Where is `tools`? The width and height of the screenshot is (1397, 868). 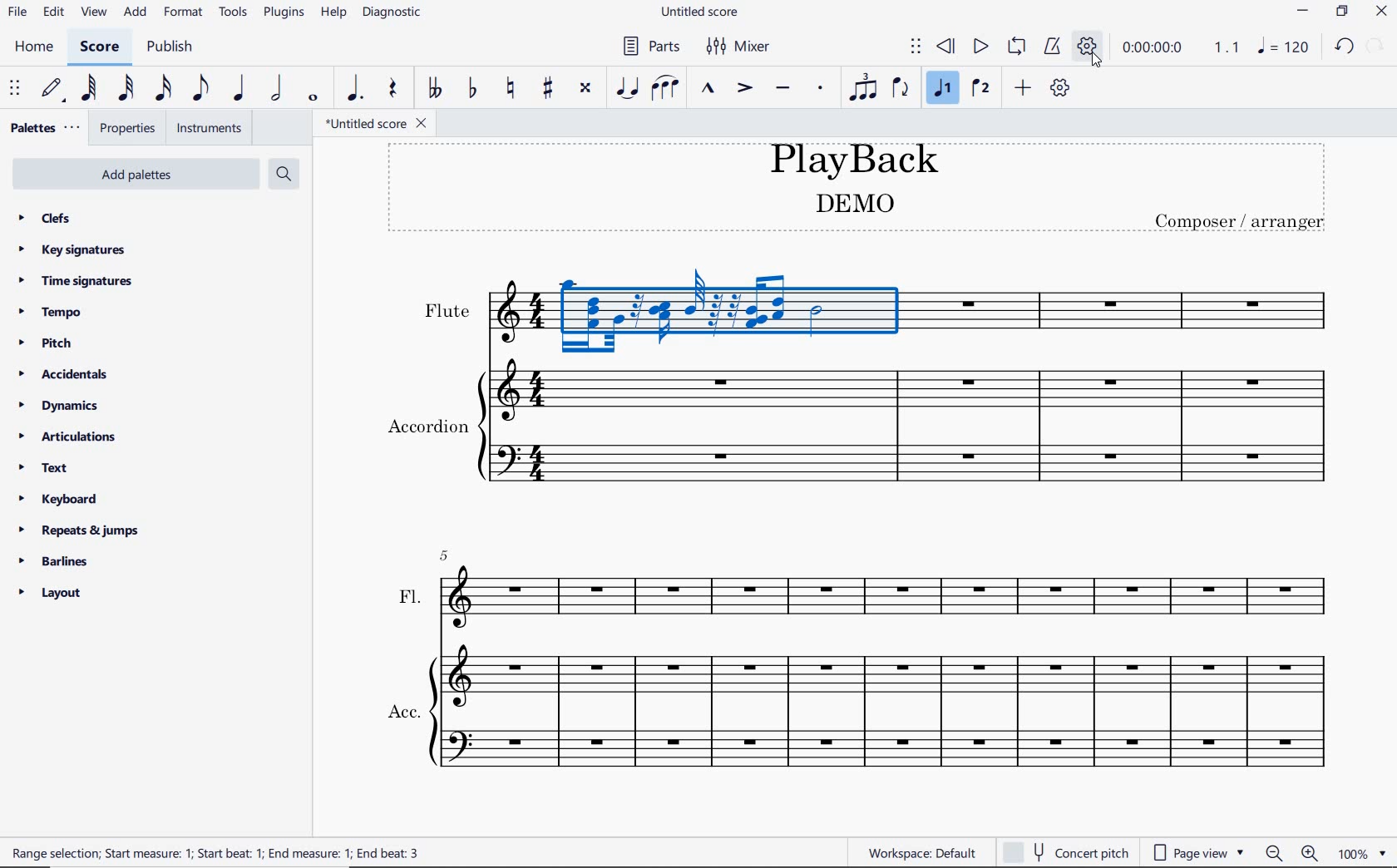
tools is located at coordinates (233, 12).